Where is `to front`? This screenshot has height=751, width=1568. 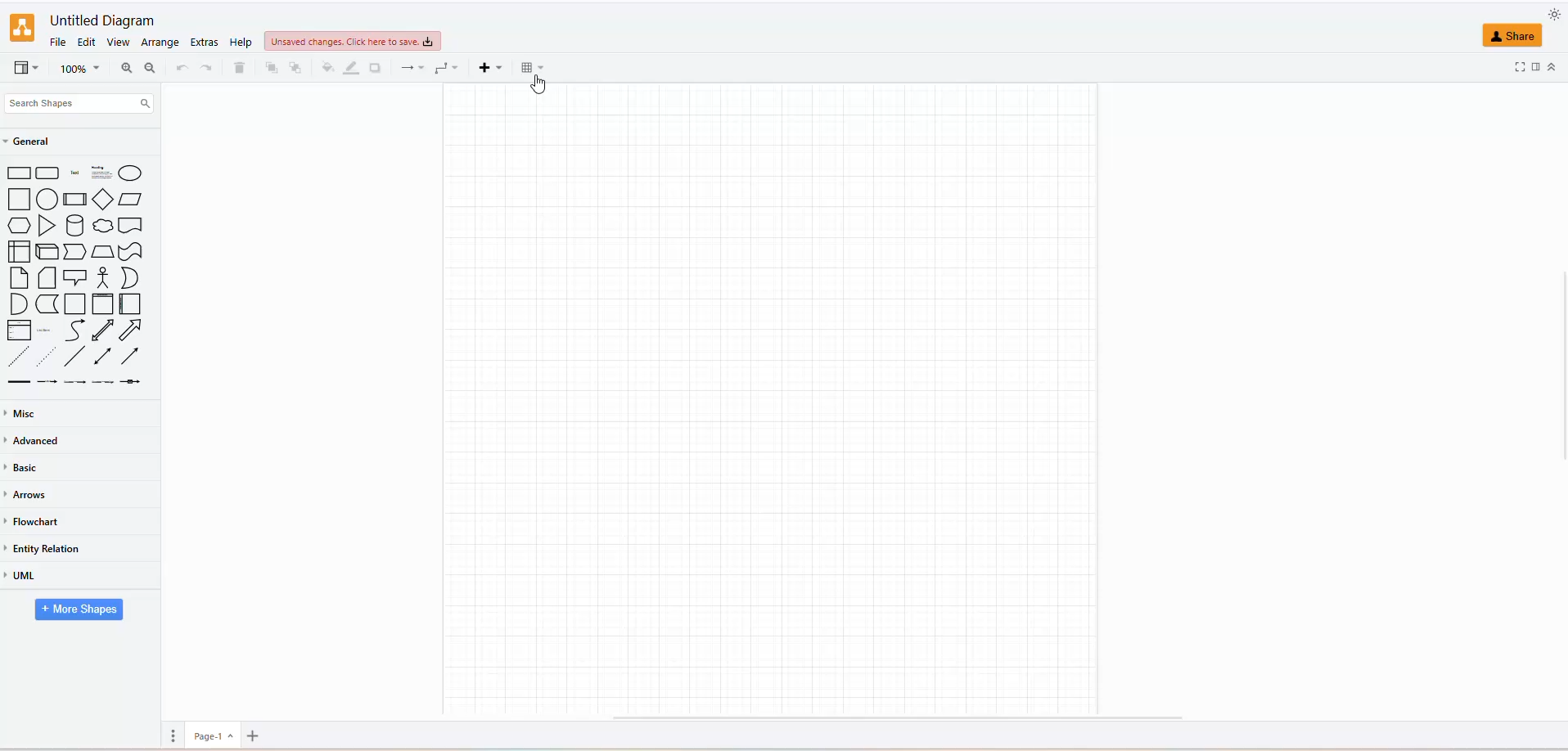
to front is located at coordinates (296, 68).